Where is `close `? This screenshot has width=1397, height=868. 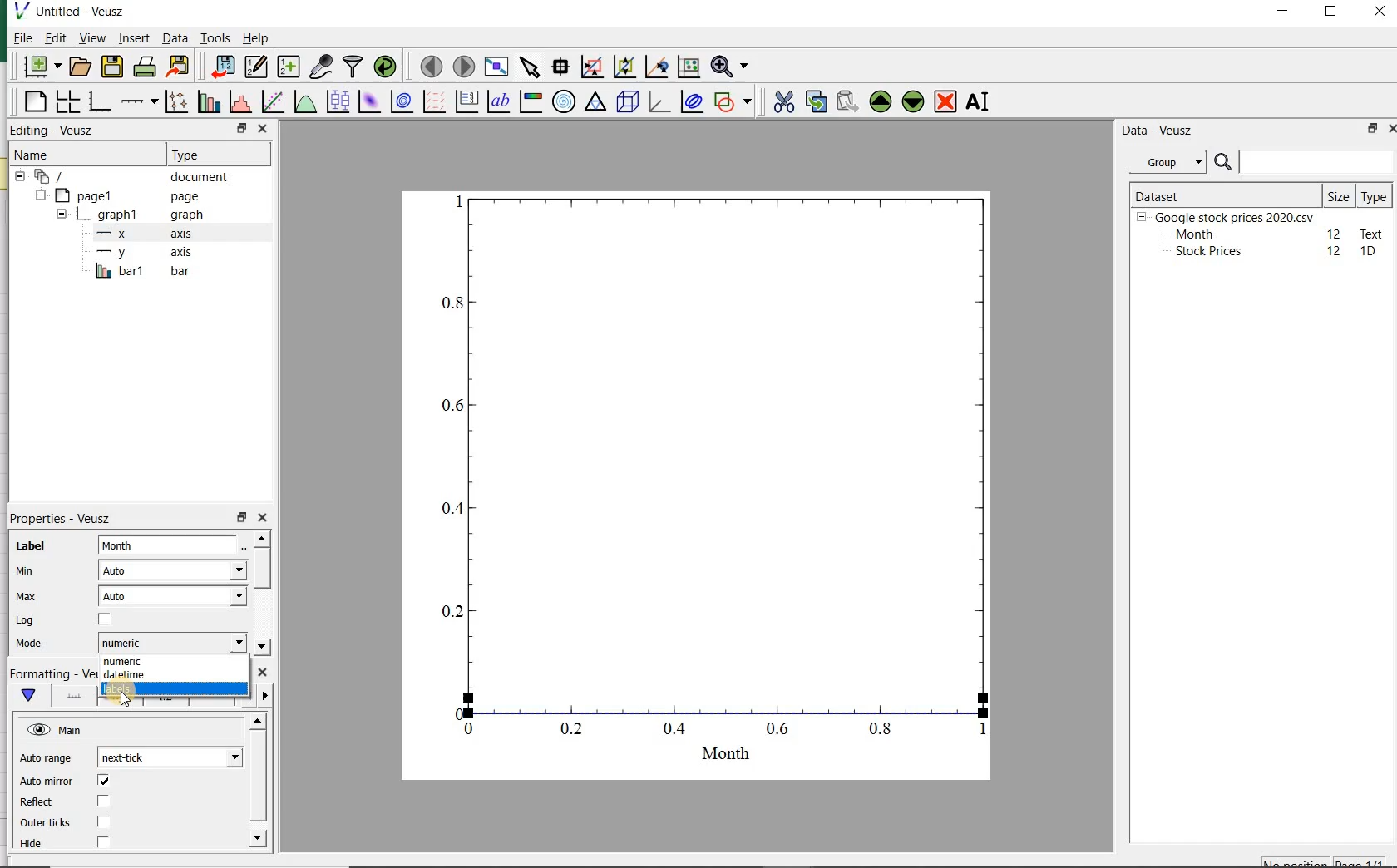
close  is located at coordinates (1396, 129).